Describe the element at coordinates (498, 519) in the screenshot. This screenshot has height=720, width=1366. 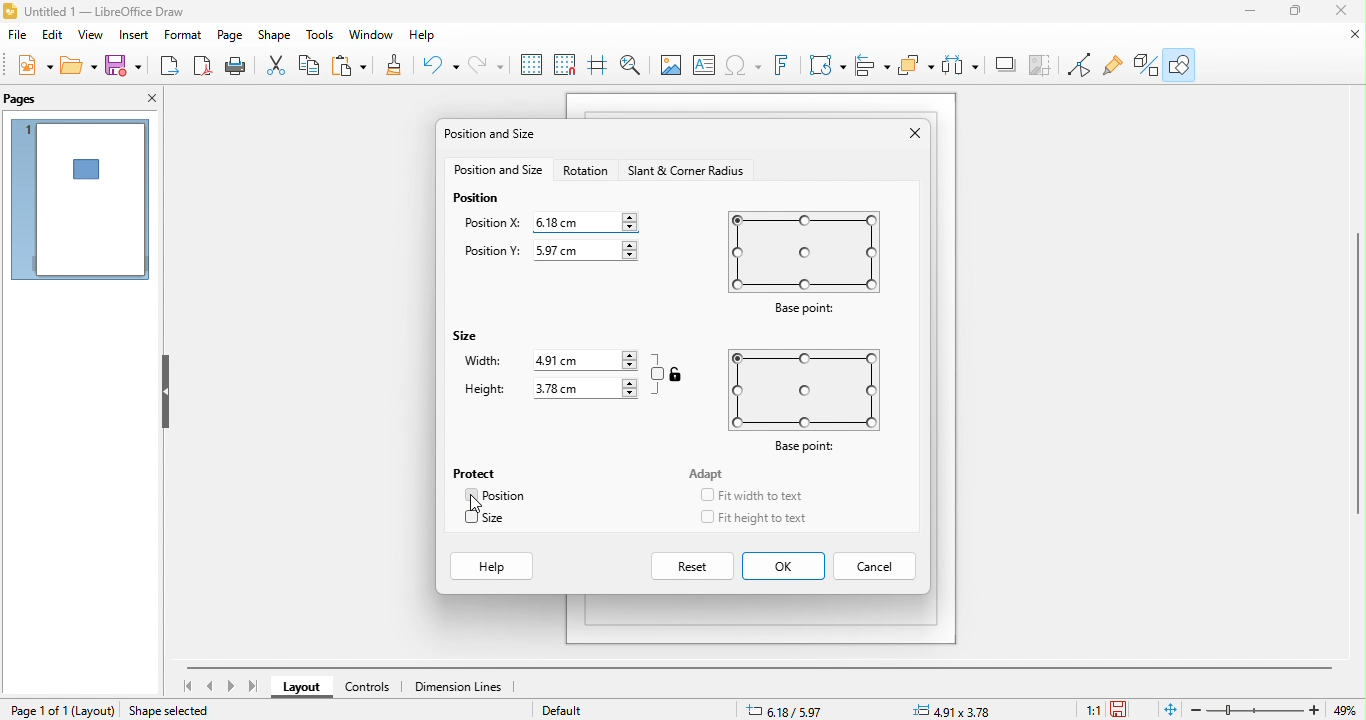
I see `size` at that location.